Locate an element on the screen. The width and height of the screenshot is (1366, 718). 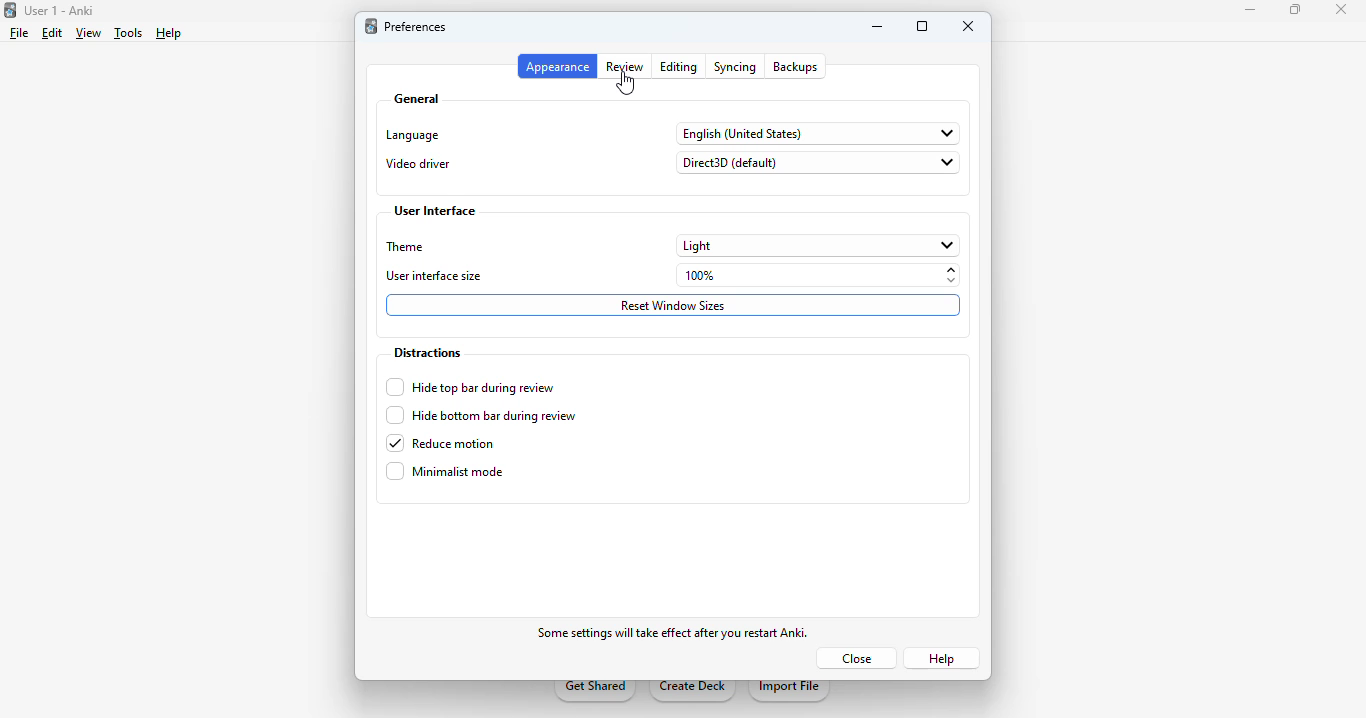
user interface size is located at coordinates (435, 275).